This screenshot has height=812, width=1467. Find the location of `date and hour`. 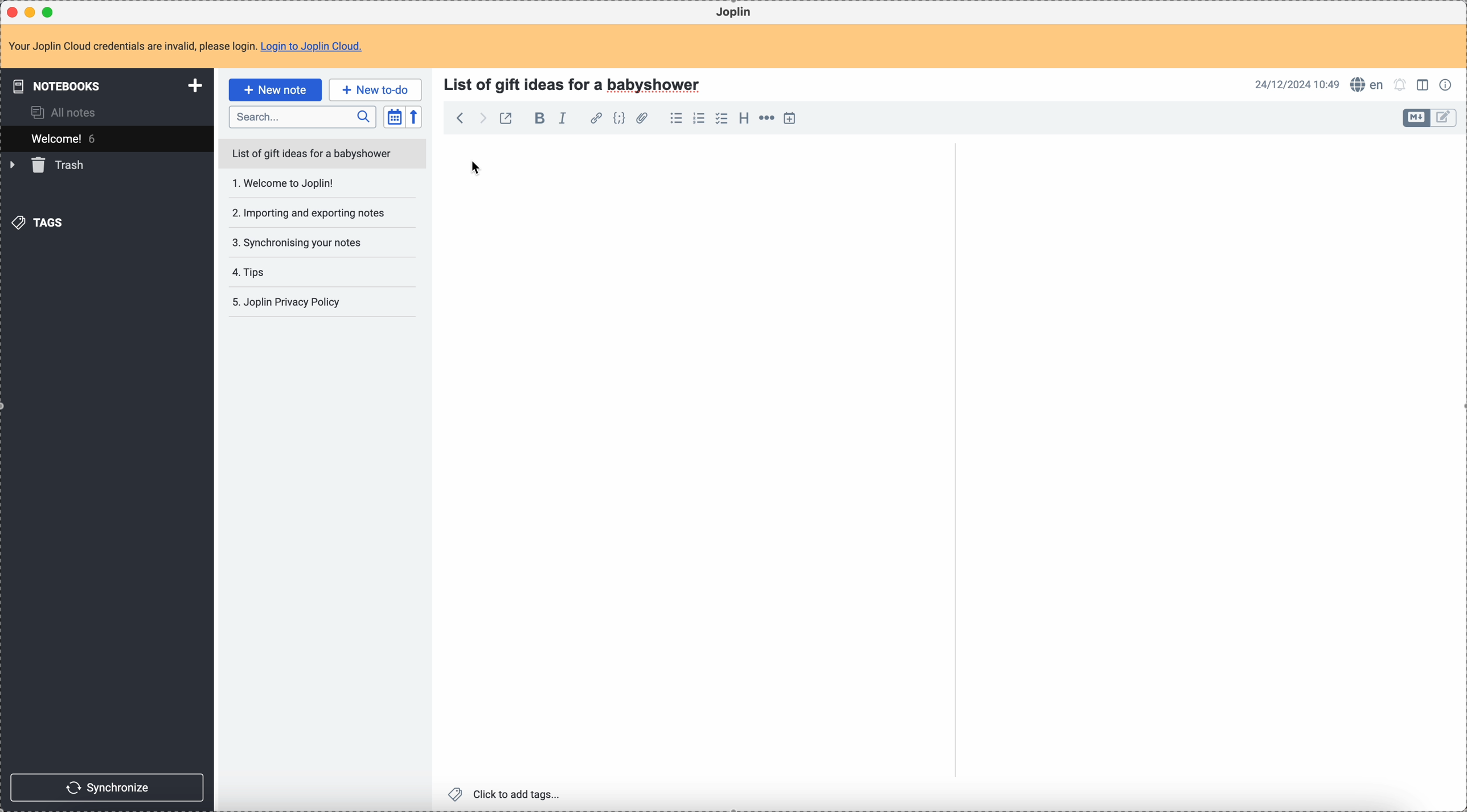

date and hour is located at coordinates (1297, 84).